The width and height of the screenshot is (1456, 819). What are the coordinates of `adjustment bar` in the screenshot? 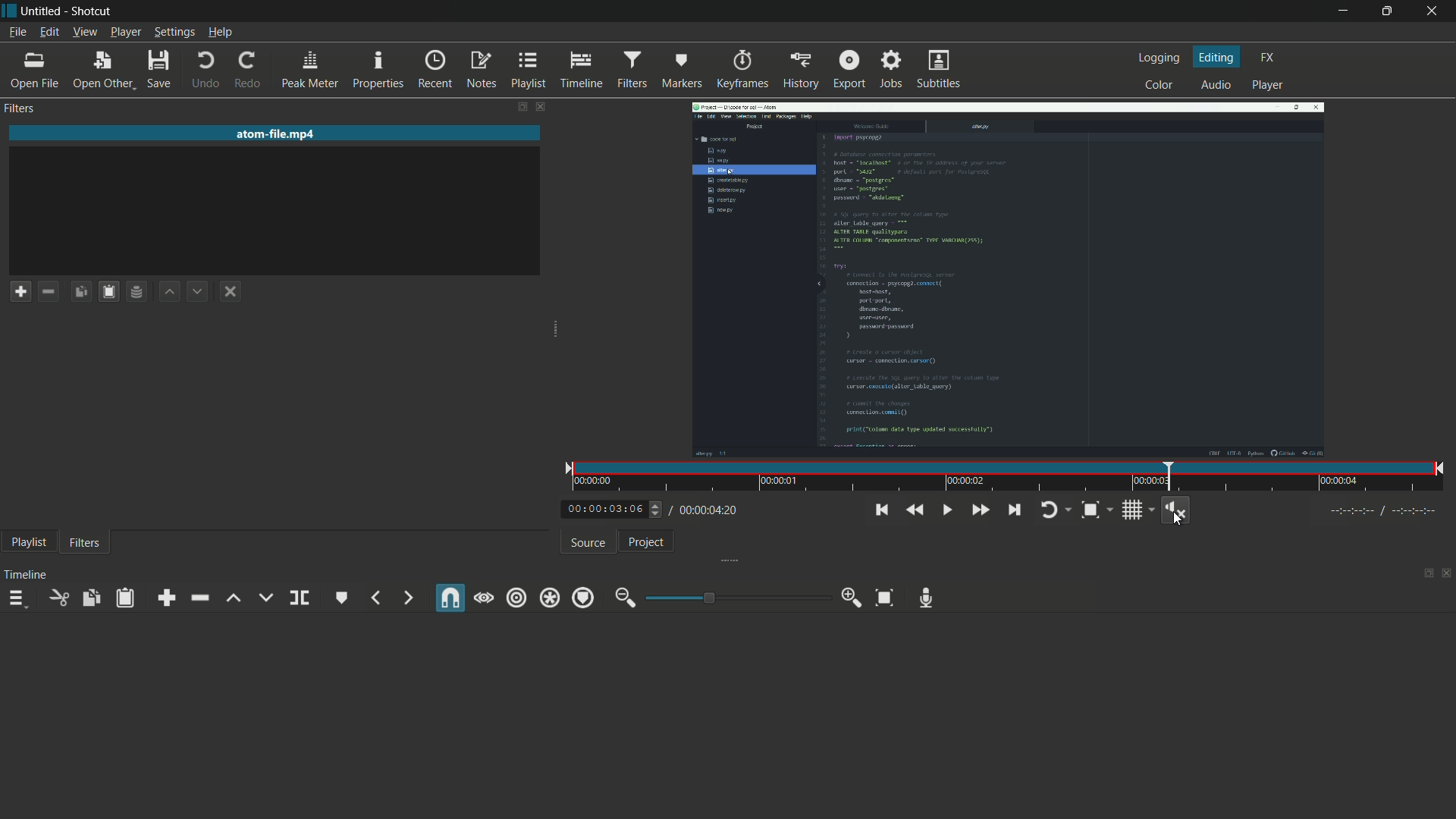 It's located at (736, 598).